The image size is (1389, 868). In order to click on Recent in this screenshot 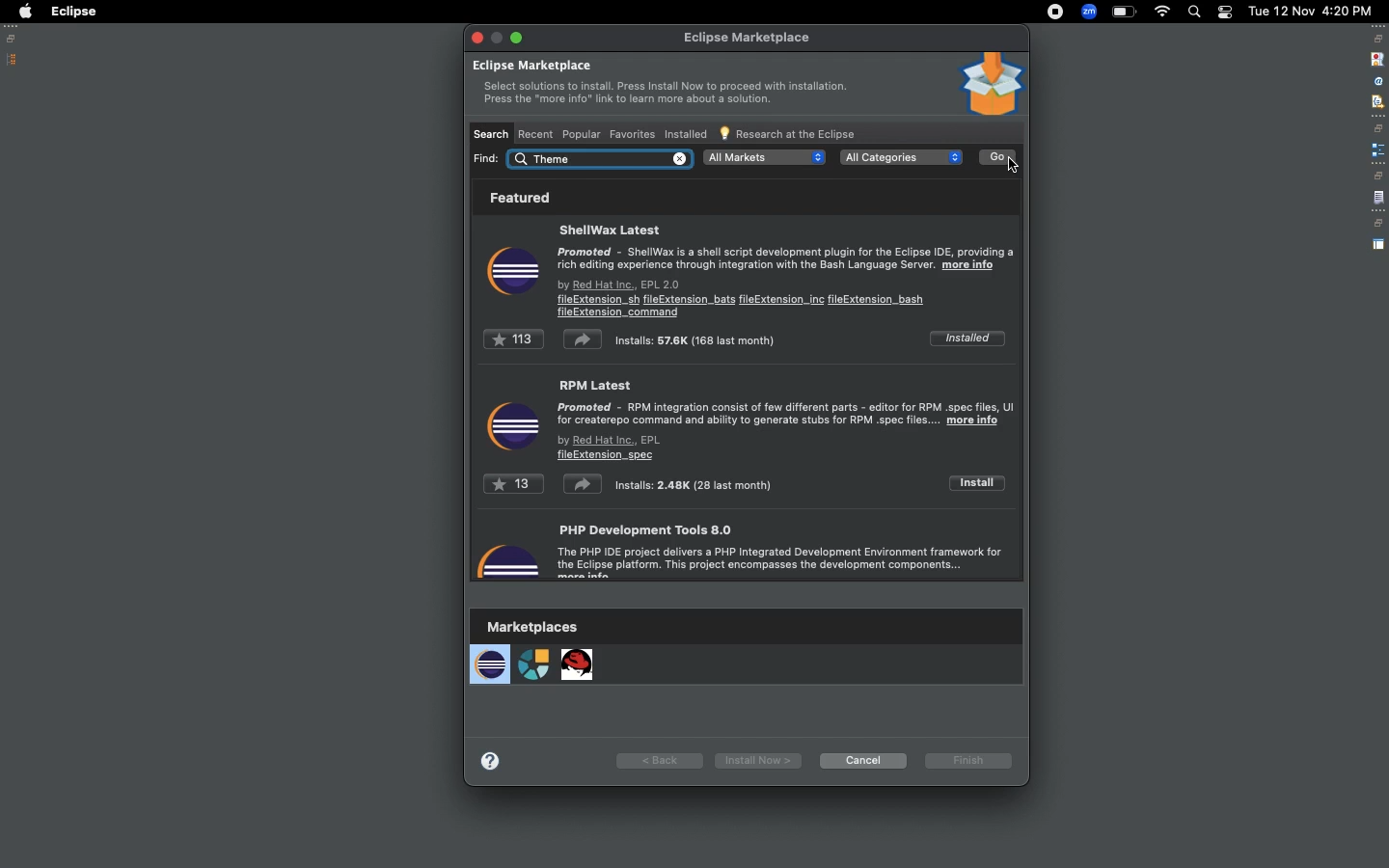, I will do `click(537, 134)`.